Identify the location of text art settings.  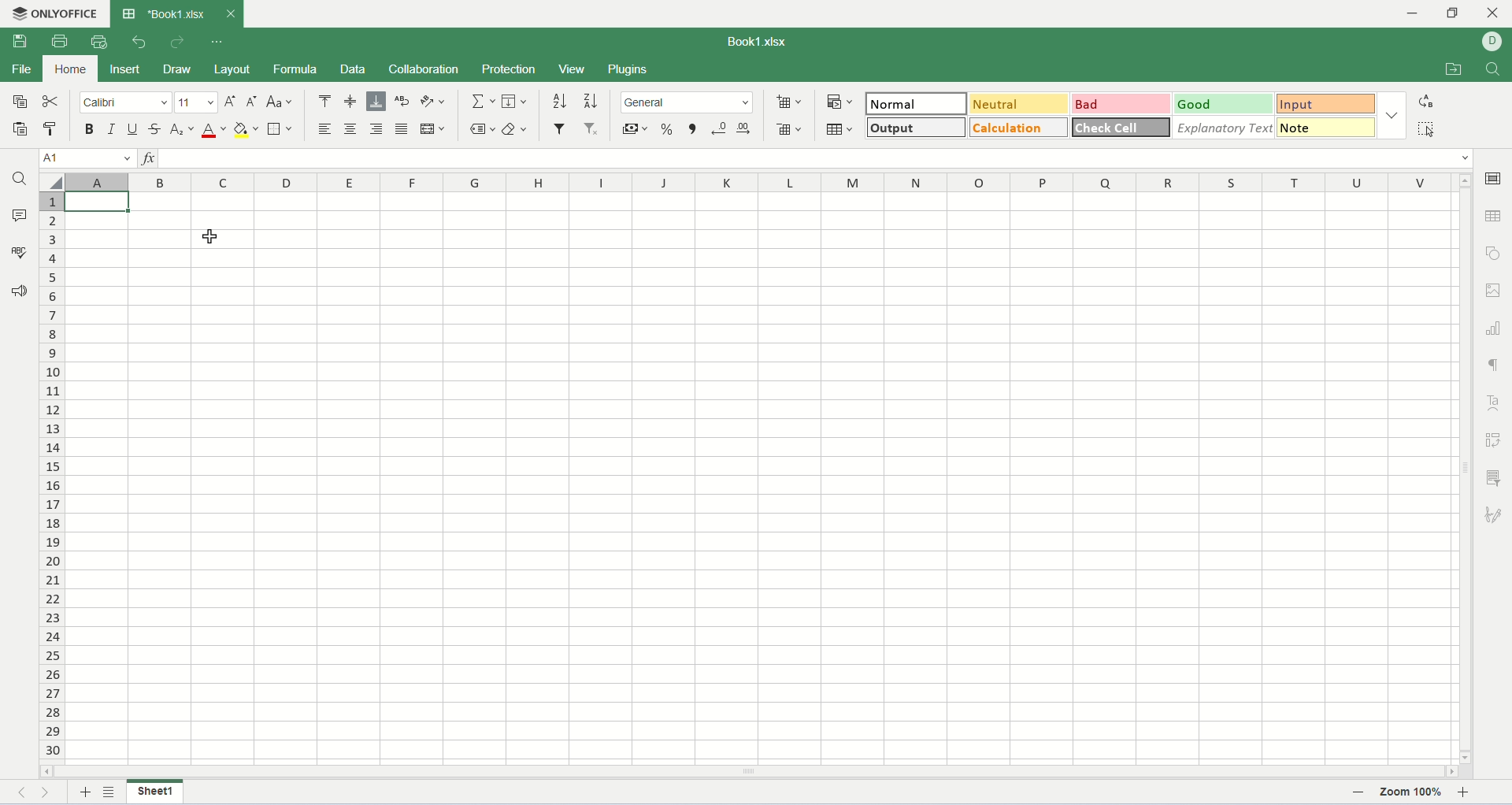
(1495, 402).